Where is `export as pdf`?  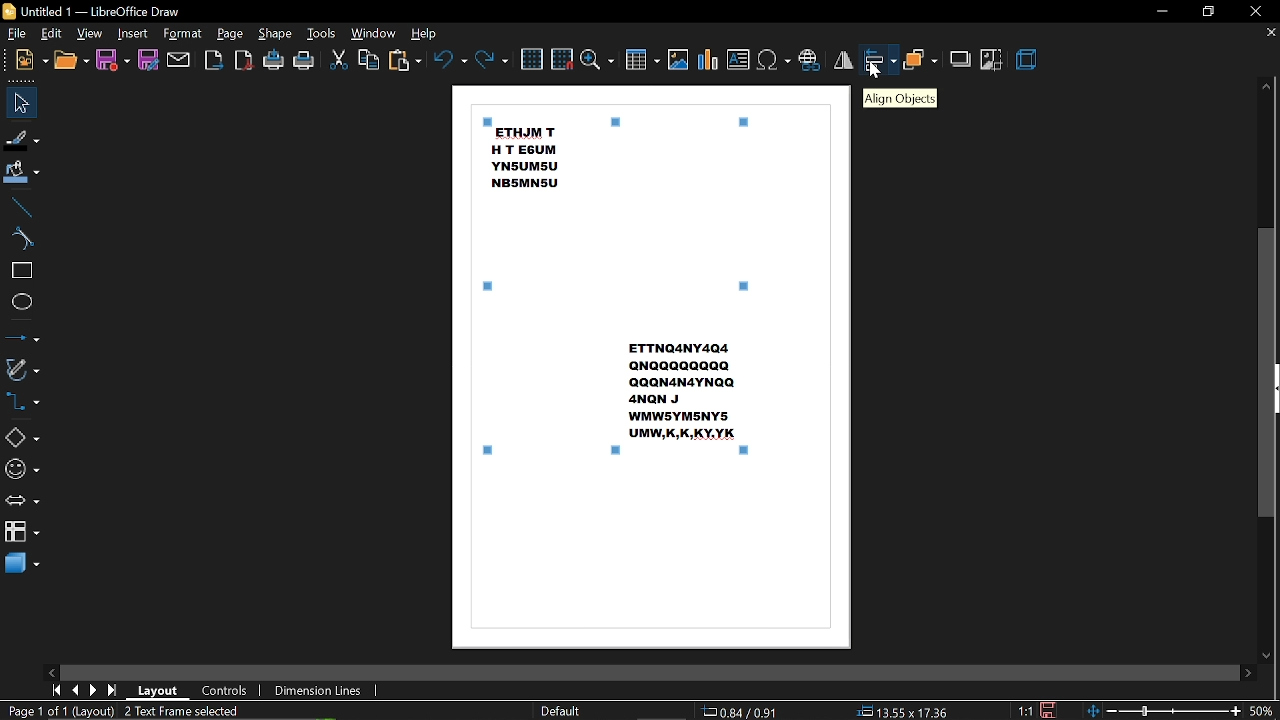
export as pdf is located at coordinates (243, 62).